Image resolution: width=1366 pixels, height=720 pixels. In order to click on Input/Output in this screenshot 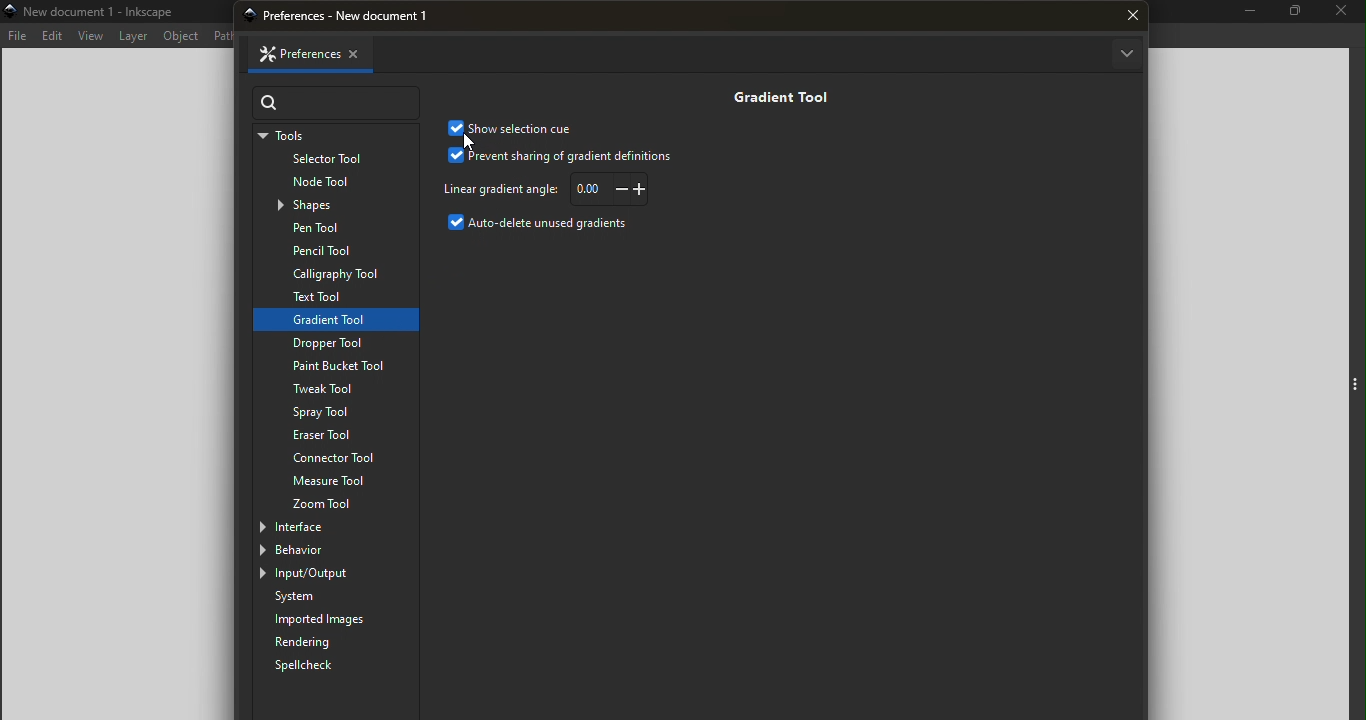, I will do `click(325, 574)`.